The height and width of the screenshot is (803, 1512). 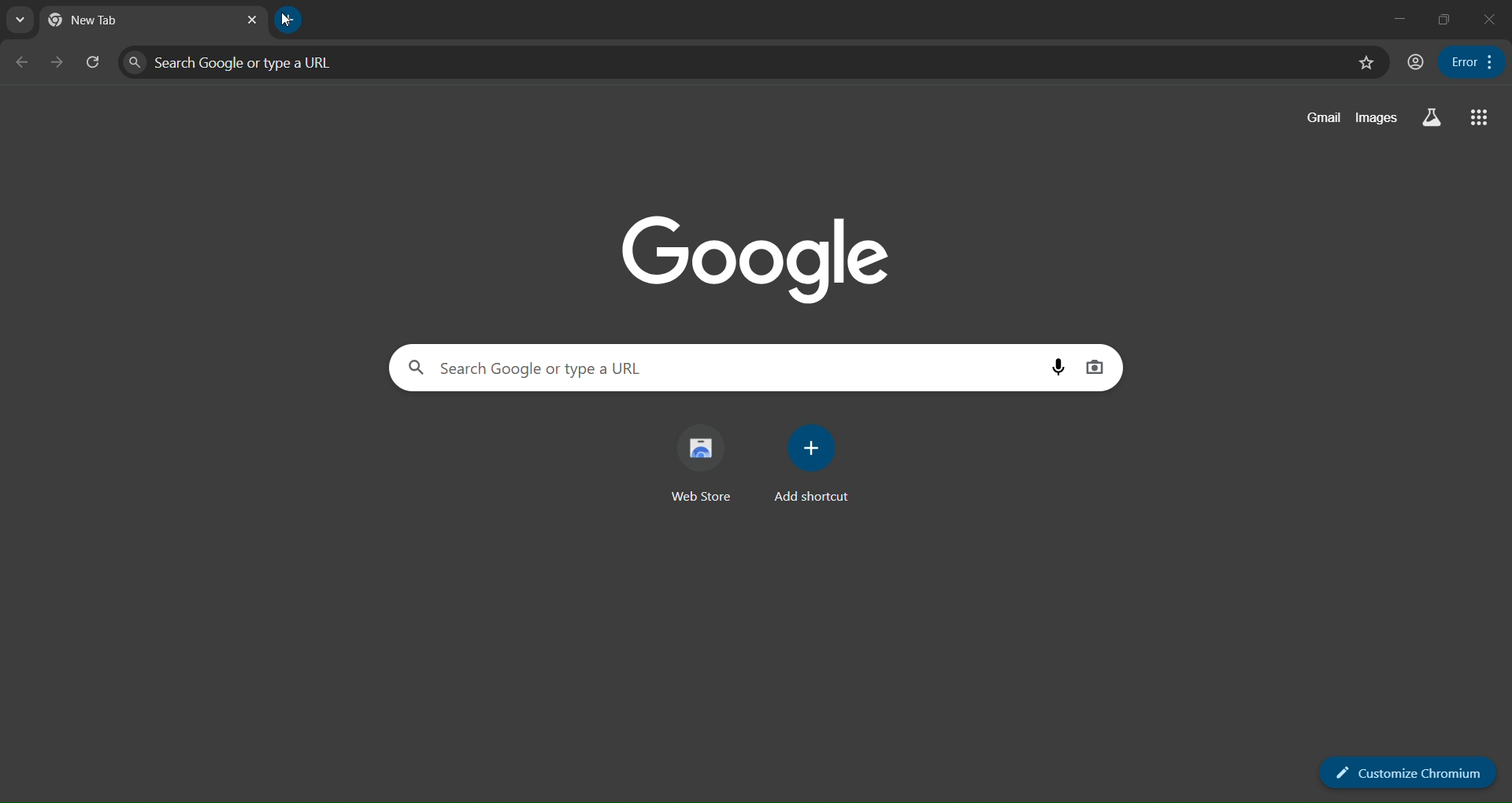 What do you see at coordinates (1435, 119) in the screenshot?
I see `google lab` at bounding box center [1435, 119].